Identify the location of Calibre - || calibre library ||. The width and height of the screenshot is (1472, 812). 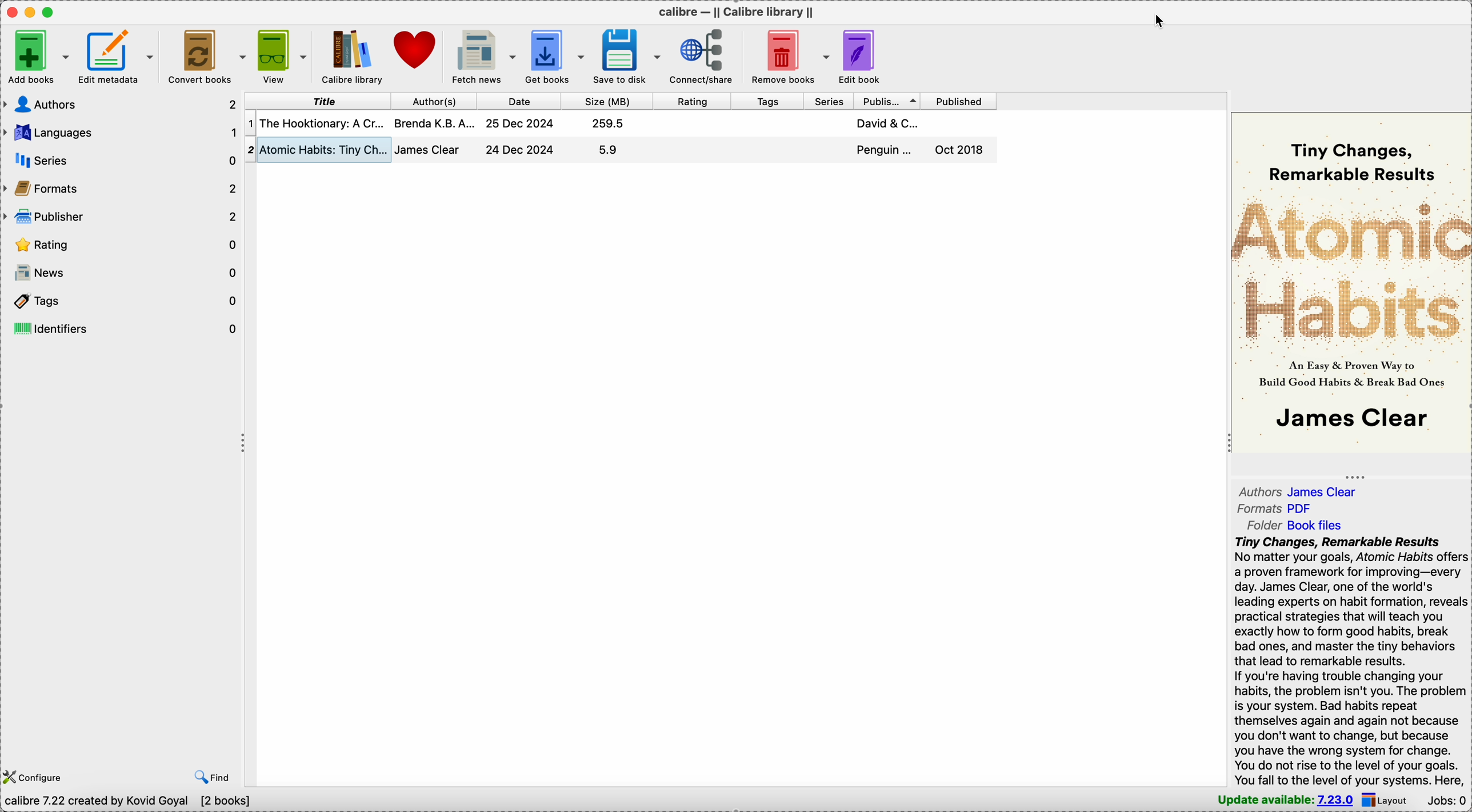
(738, 12).